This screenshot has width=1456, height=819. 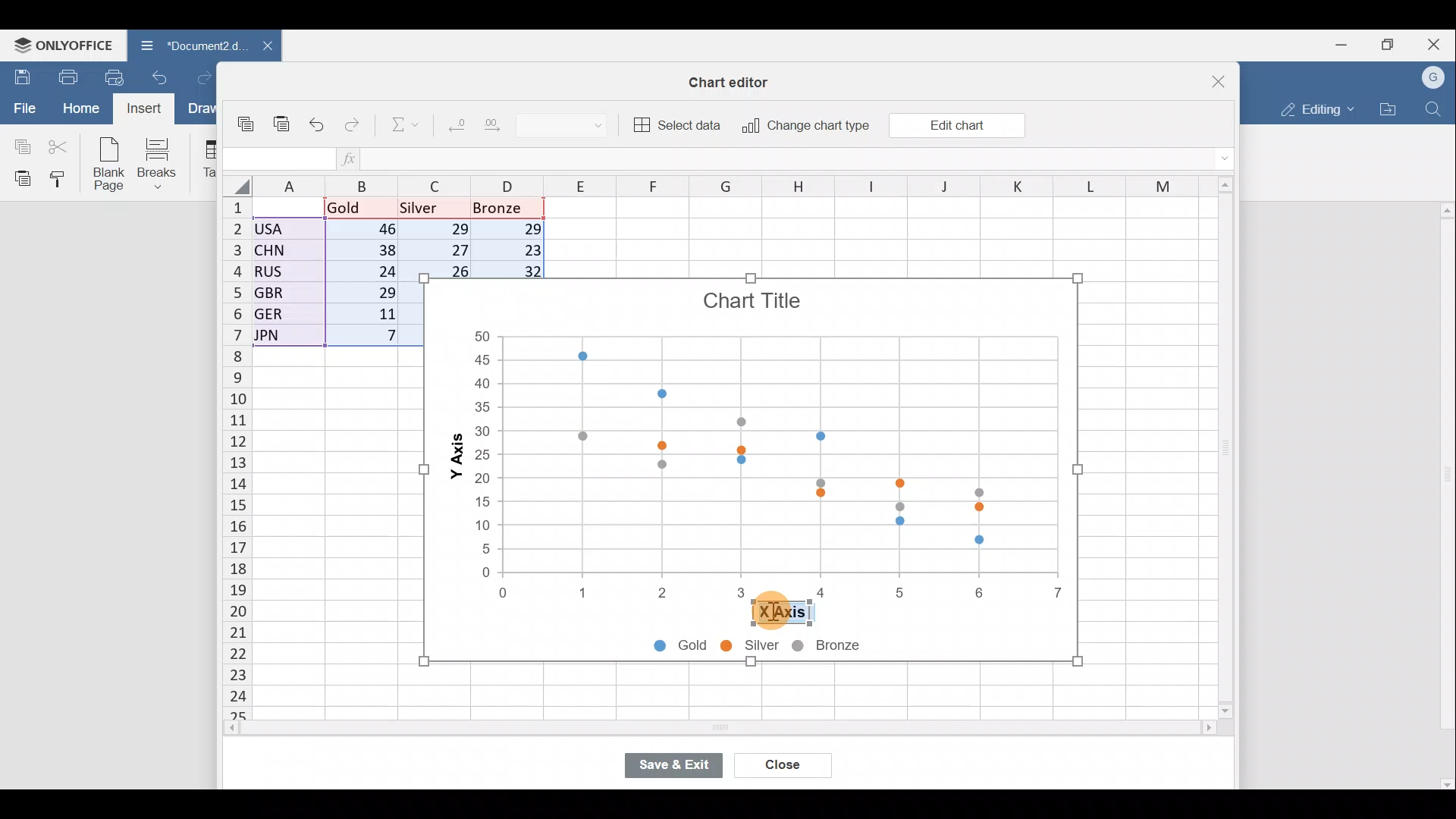 What do you see at coordinates (147, 110) in the screenshot?
I see `Cursor on Insert` at bounding box center [147, 110].